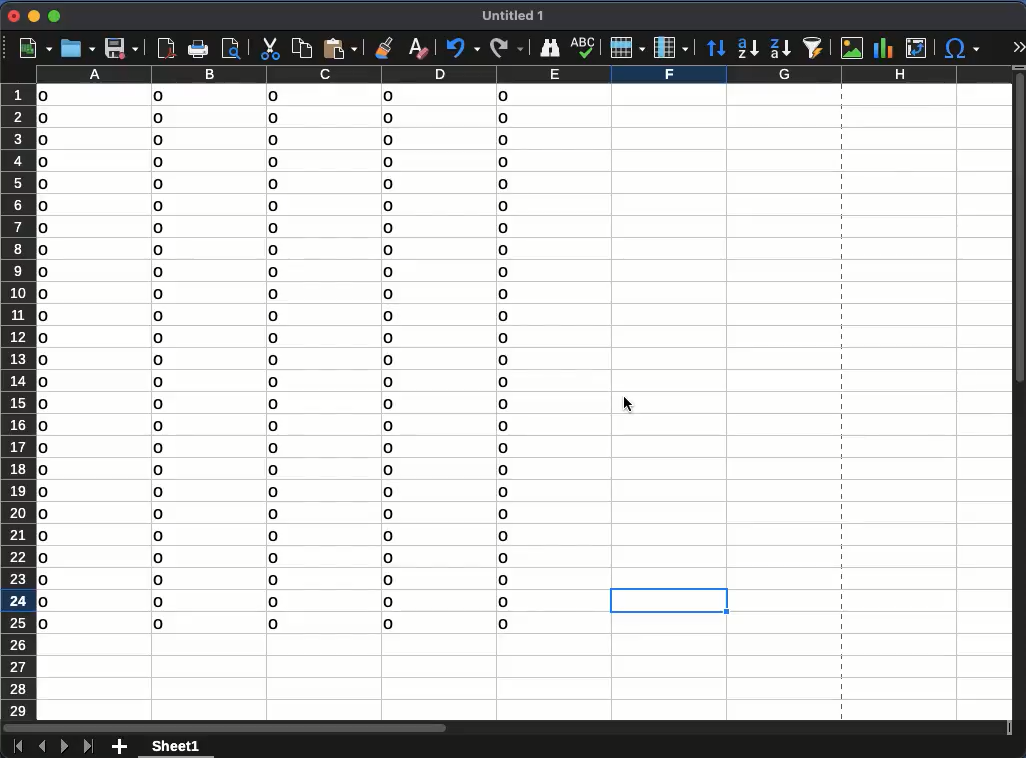 The image size is (1026, 758). Describe the element at coordinates (384, 47) in the screenshot. I see `clone formatting` at that location.